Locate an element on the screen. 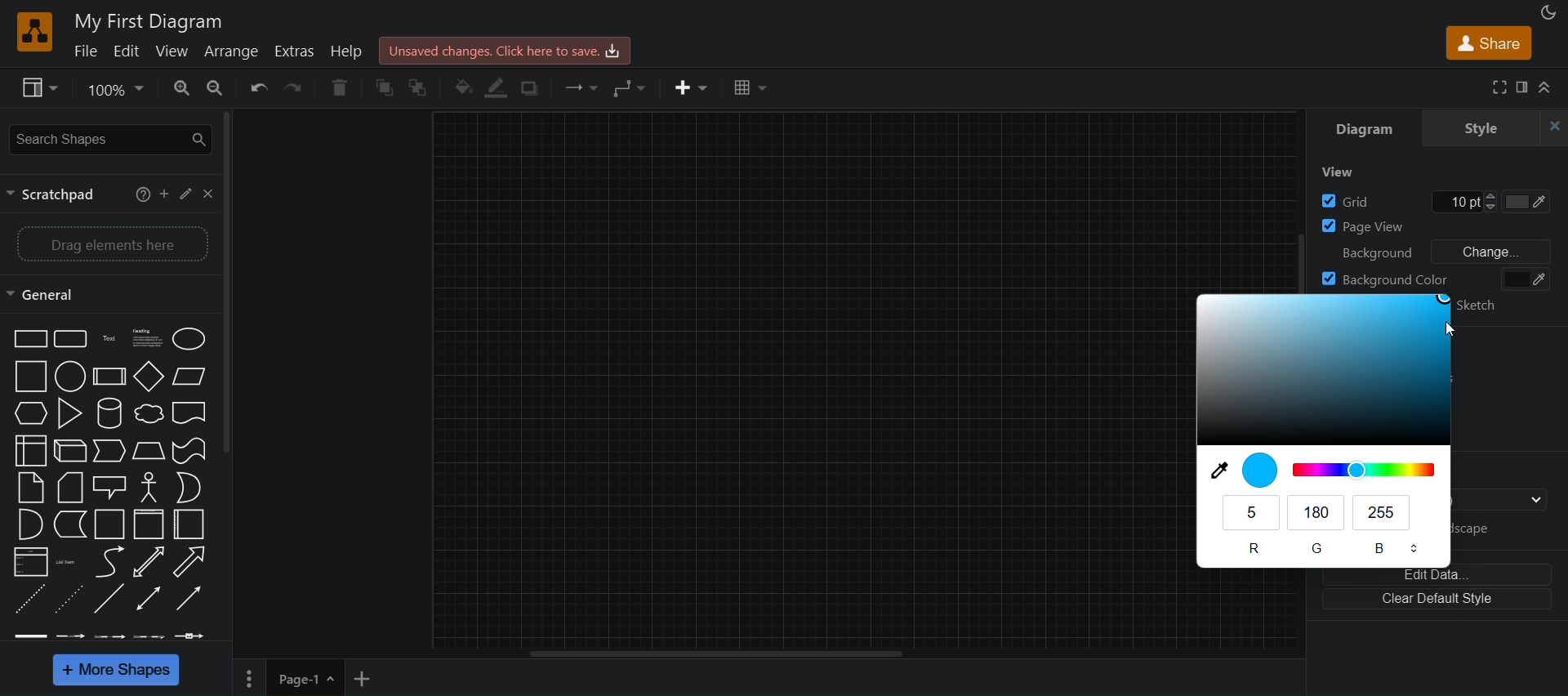  delete is located at coordinates (339, 89).